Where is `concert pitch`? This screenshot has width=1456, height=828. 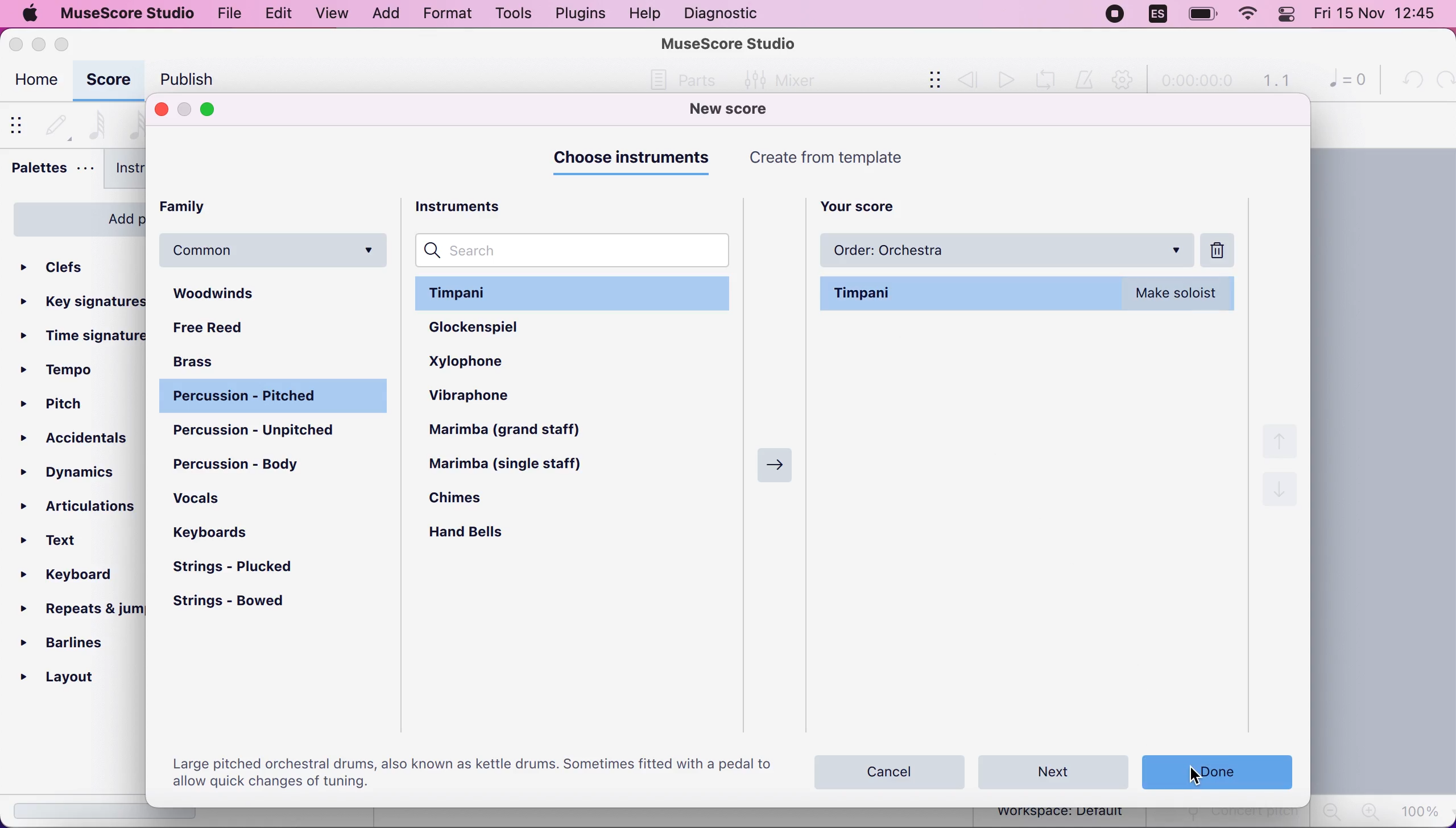
concert pitch is located at coordinates (1230, 818).